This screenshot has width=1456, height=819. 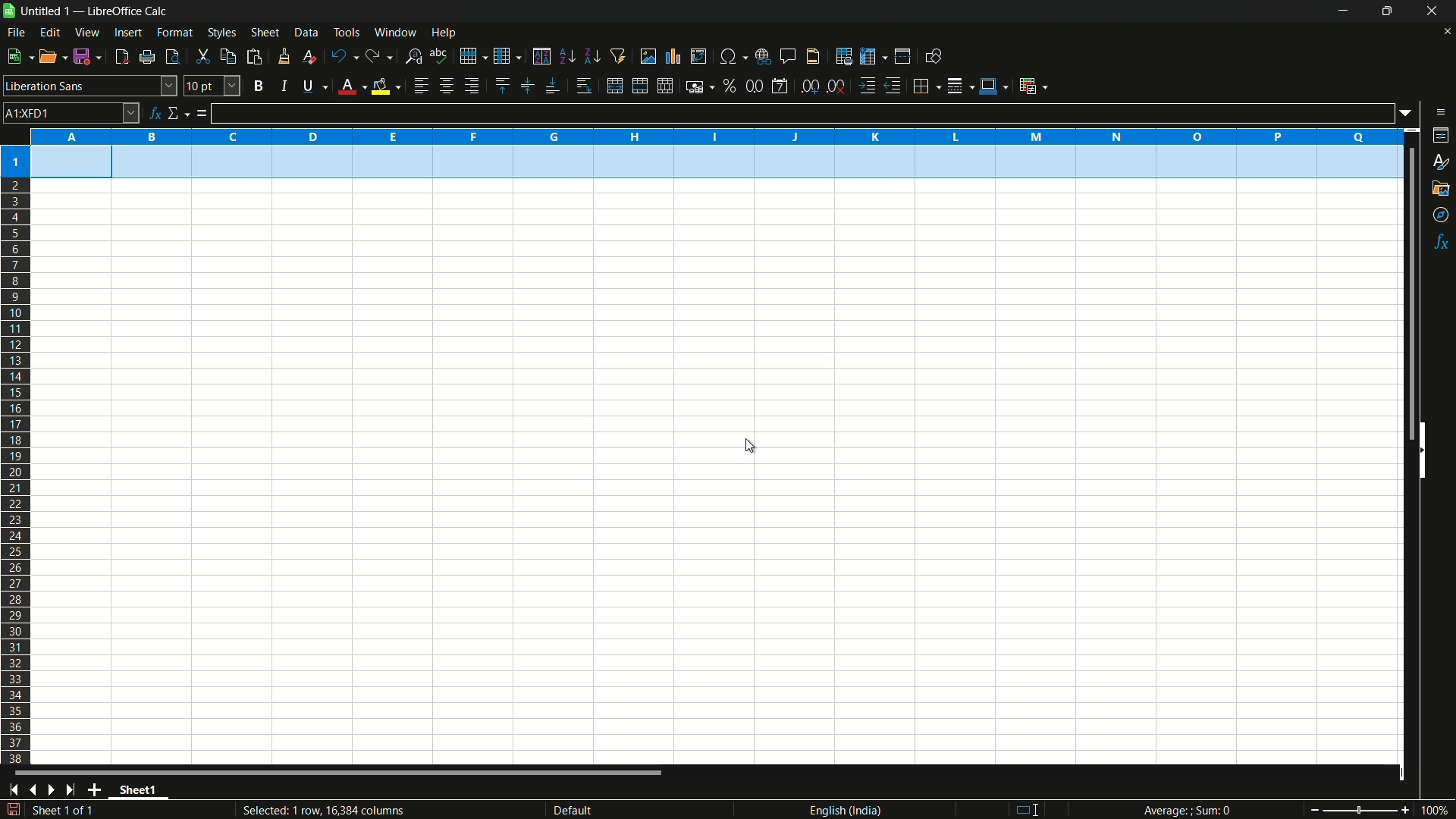 What do you see at coordinates (340, 775) in the screenshot?
I see `scroll bar` at bounding box center [340, 775].